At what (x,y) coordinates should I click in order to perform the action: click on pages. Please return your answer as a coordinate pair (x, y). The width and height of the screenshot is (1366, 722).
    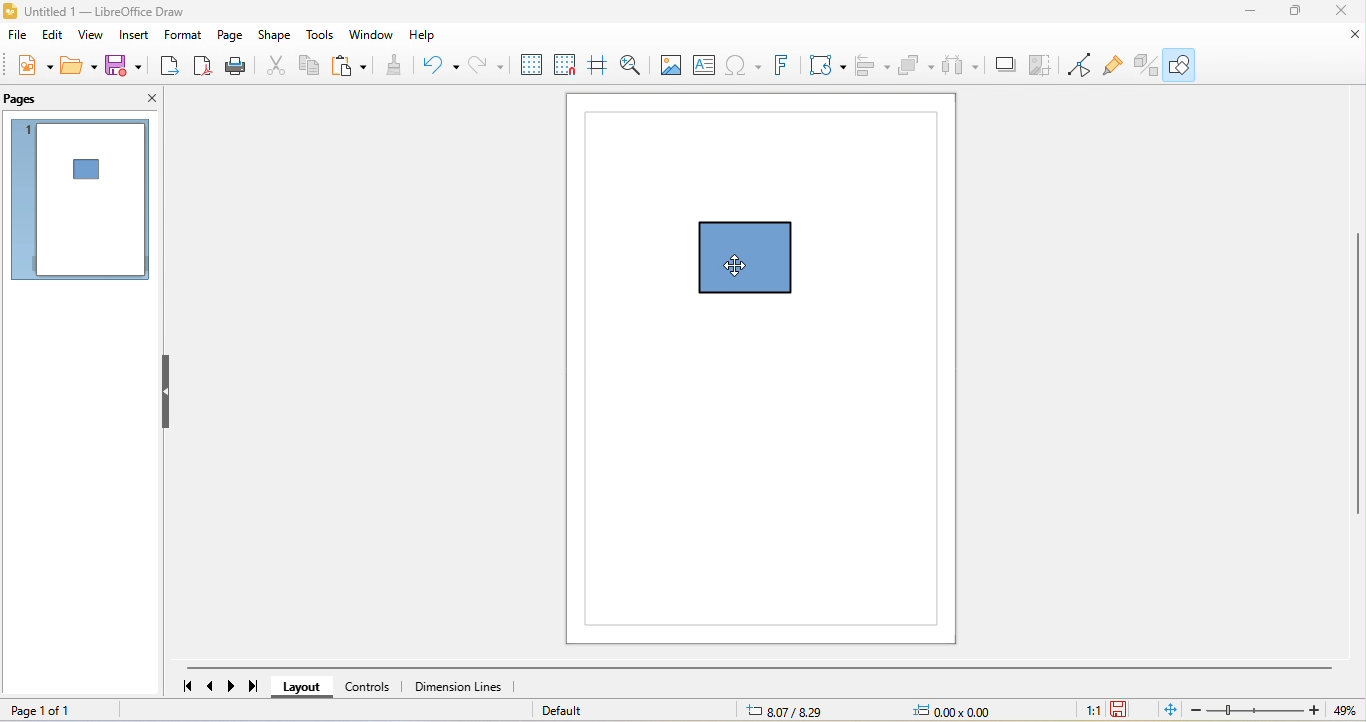
    Looking at the image, I should click on (48, 100).